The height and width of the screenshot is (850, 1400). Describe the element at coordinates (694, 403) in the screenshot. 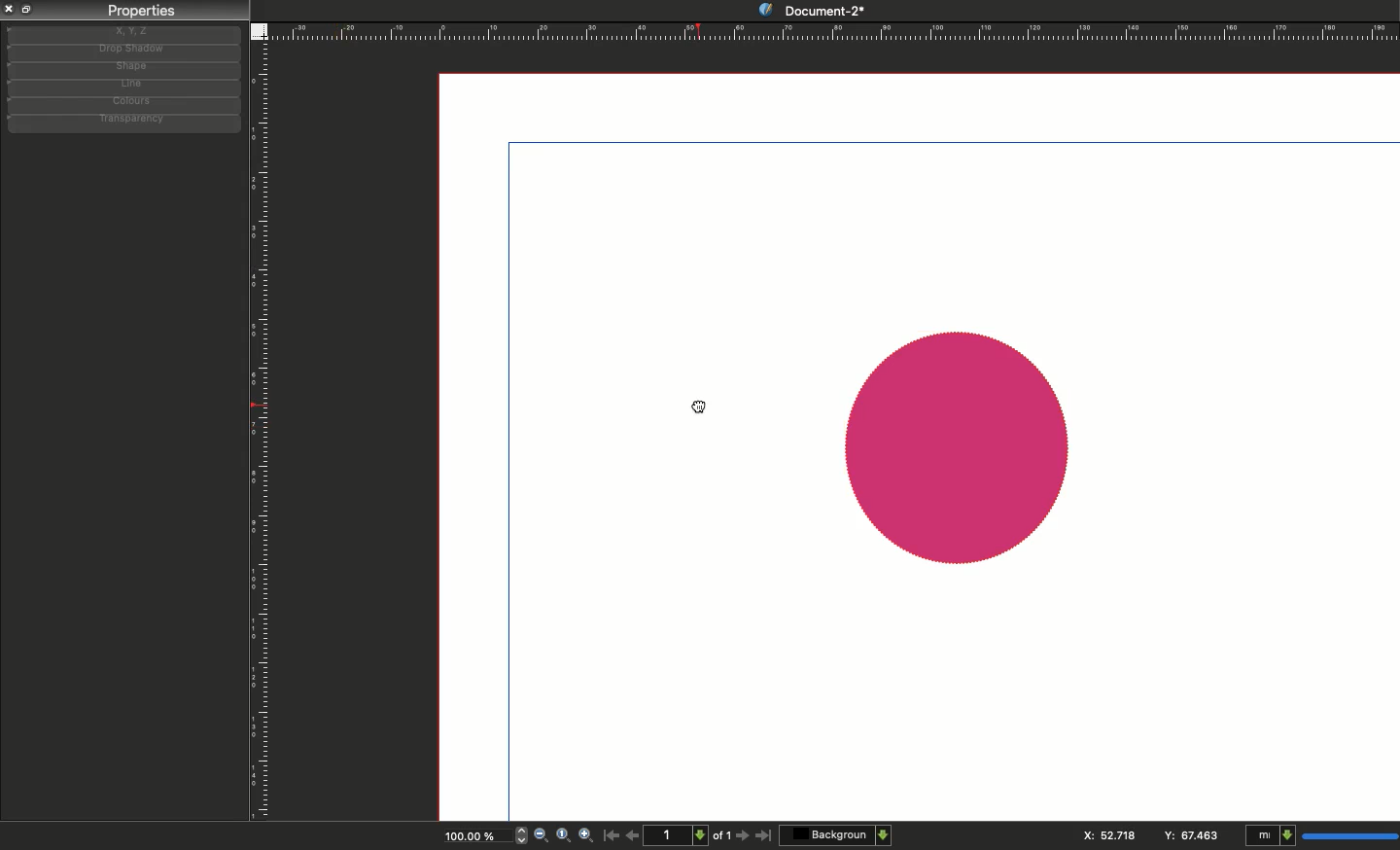

I see `cursor` at that location.